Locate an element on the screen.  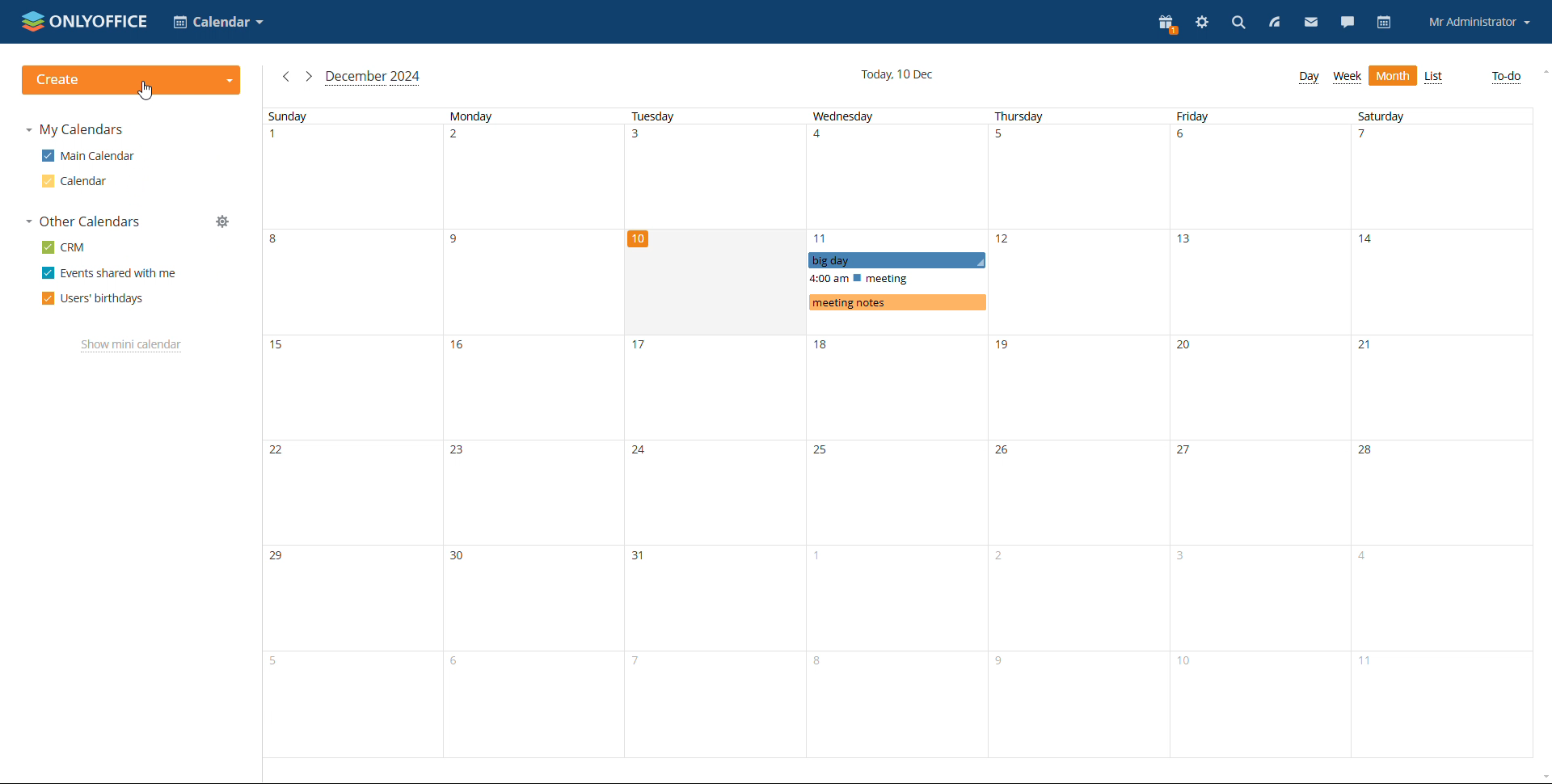
scroll down is located at coordinates (1542, 778).